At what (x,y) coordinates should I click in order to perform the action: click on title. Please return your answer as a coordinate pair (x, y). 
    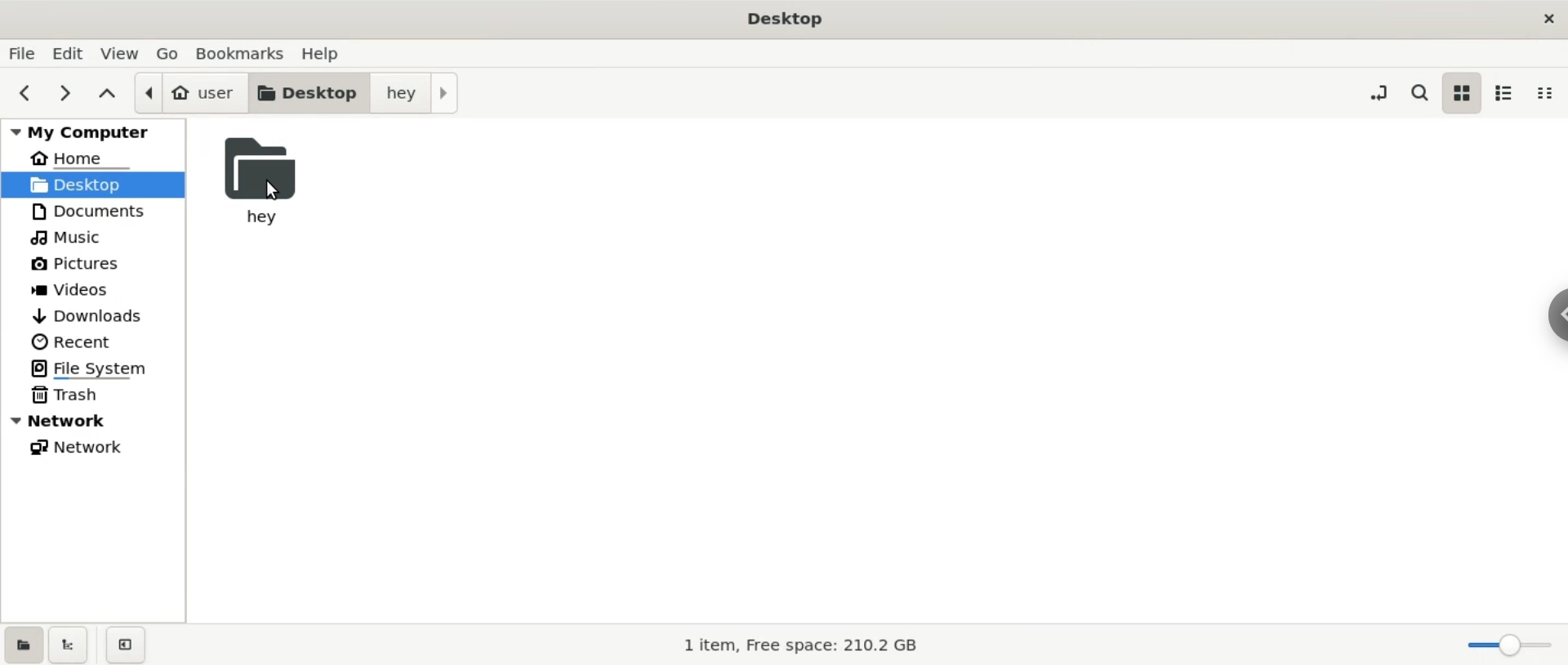
    Looking at the image, I should click on (782, 21).